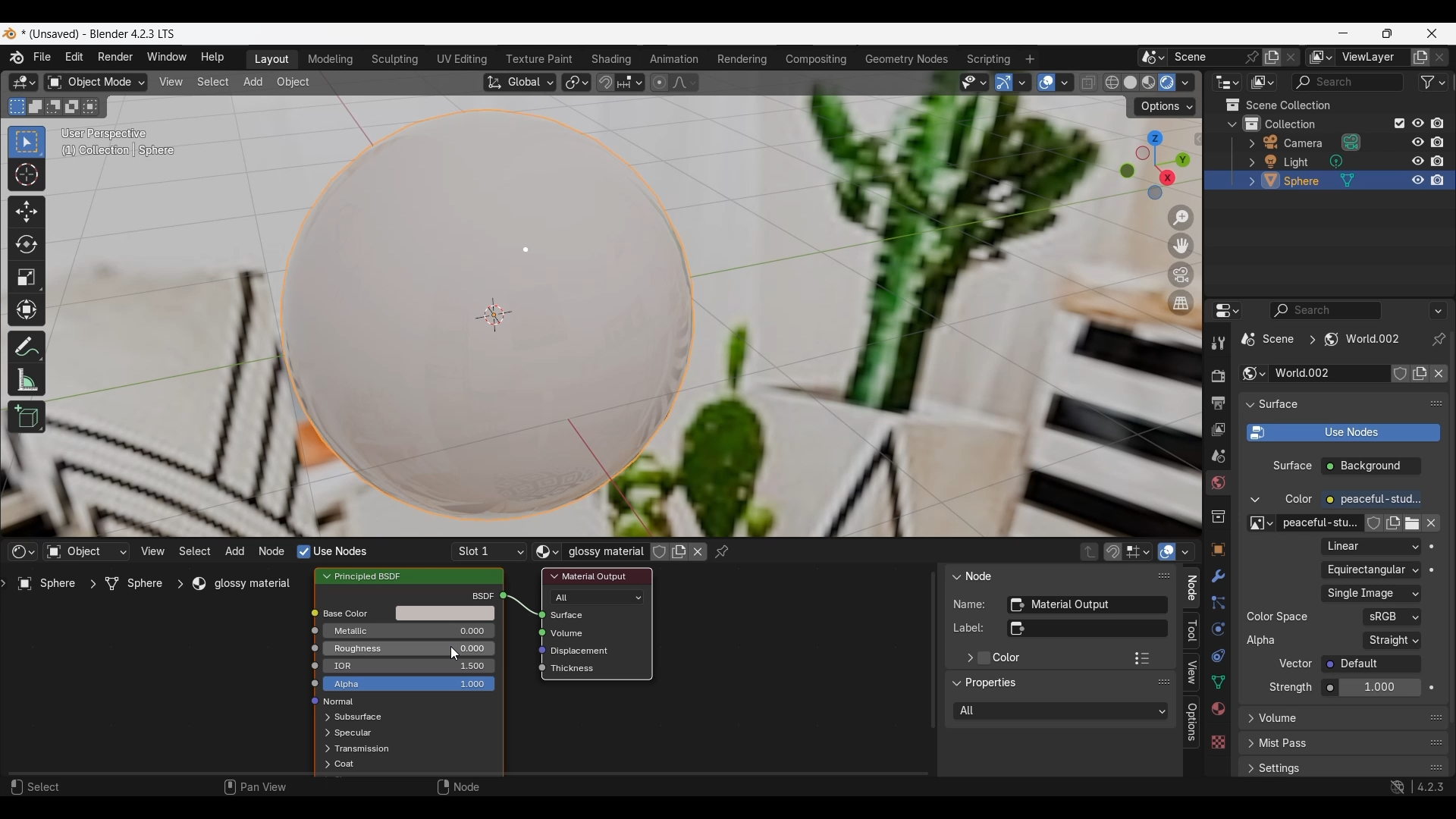 This screenshot has height=819, width=1456. Describe the element at coordinates (409, 631) in the screenshot. I see `Amount of metallic base` at that location.